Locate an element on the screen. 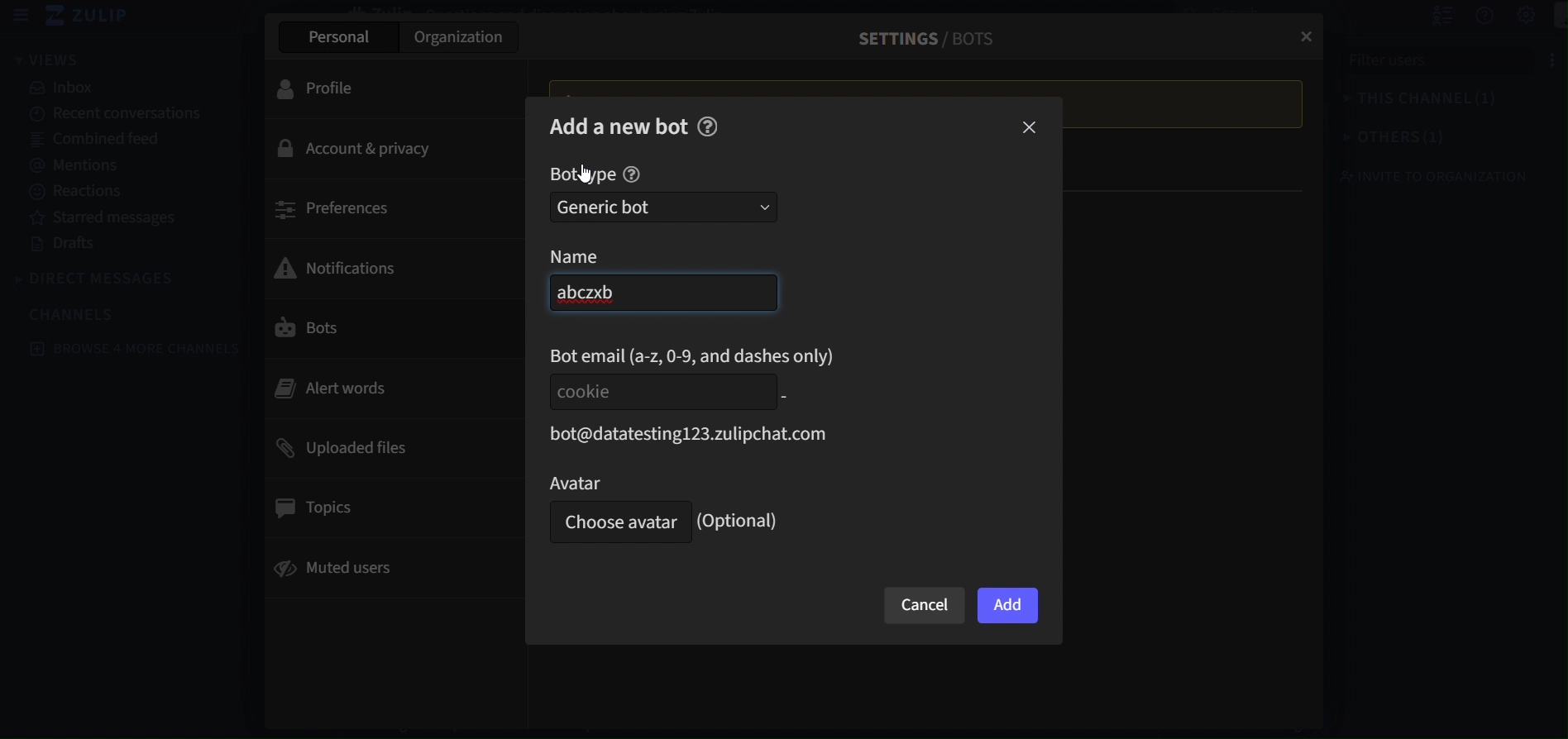  recent conversations is located at coordinates (126, 116).